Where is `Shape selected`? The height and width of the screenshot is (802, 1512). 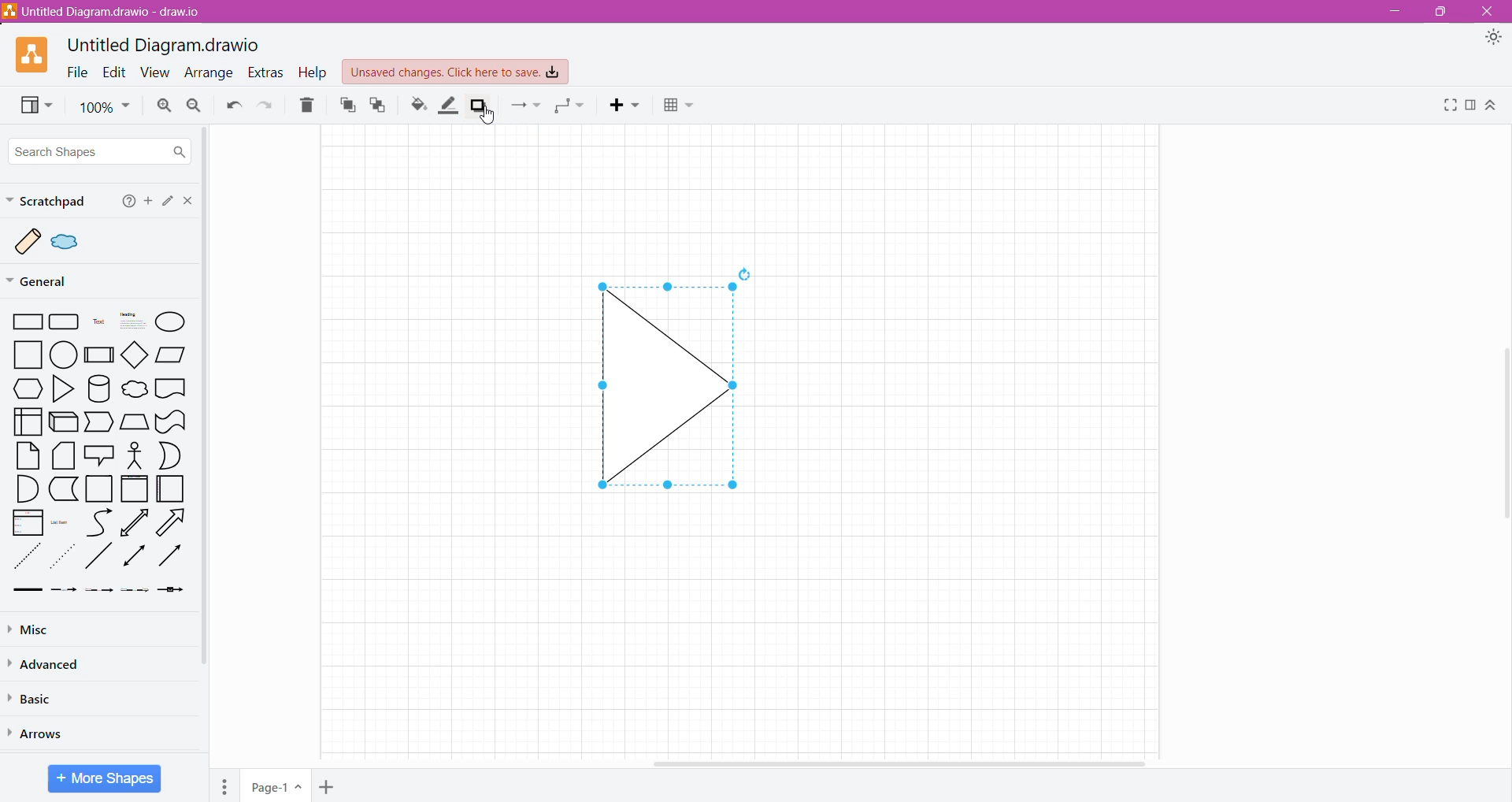 Shape selected is located at coordinates (661, 389).